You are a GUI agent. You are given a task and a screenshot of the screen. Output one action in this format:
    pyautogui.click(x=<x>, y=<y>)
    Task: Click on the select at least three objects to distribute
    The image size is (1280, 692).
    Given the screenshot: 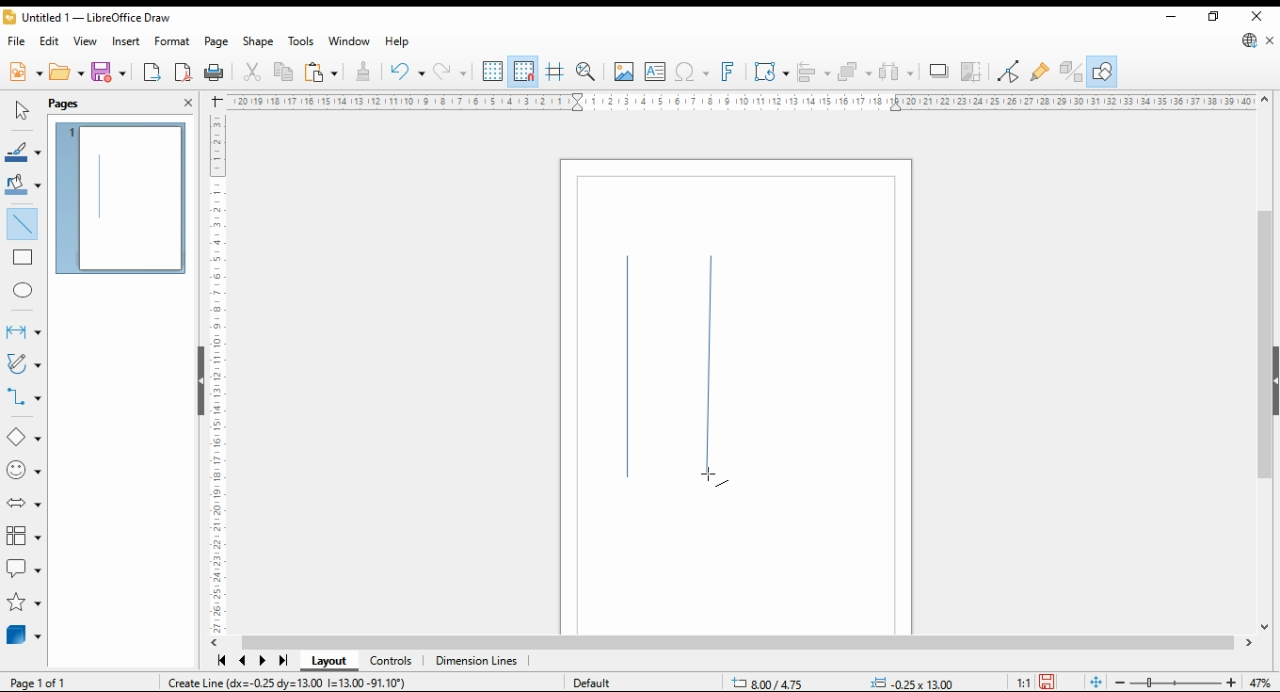 What is the action you would take?
    pyautogui.click(x=899, y=72)
    